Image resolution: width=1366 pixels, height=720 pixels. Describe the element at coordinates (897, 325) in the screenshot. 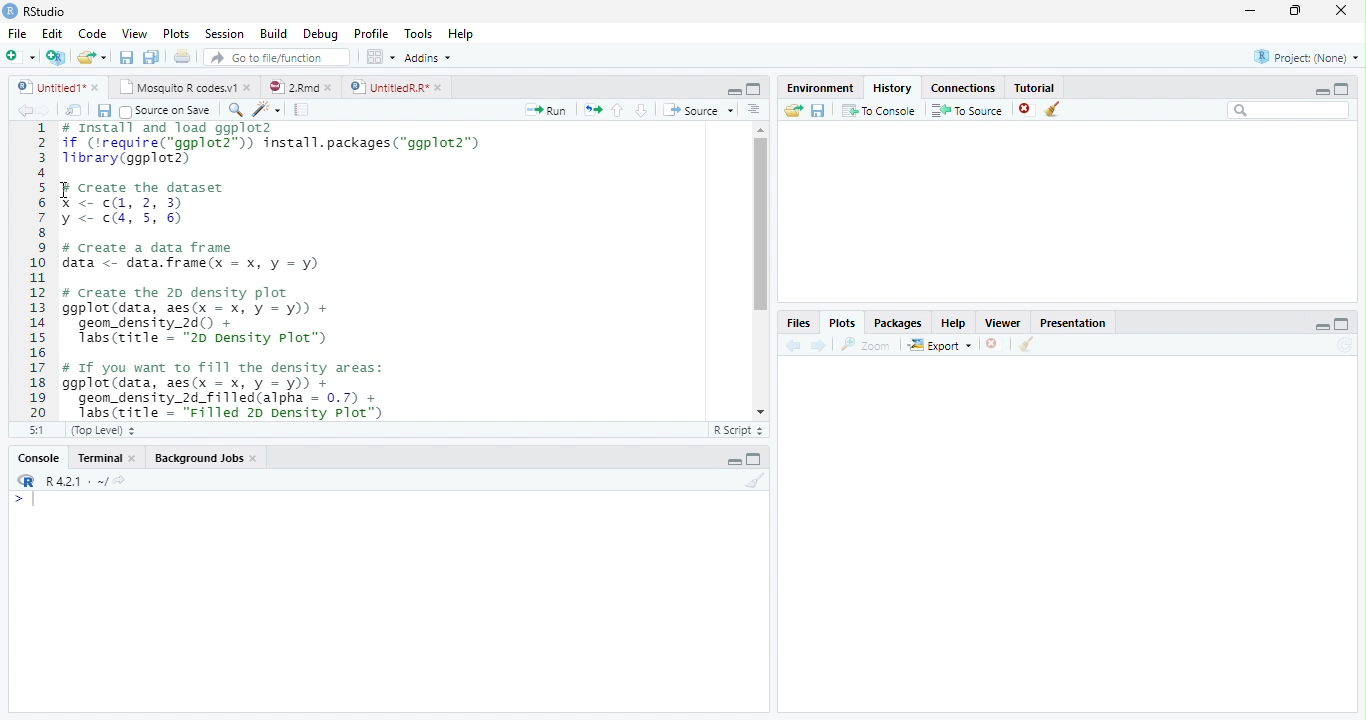

I see `Packages` at that location.